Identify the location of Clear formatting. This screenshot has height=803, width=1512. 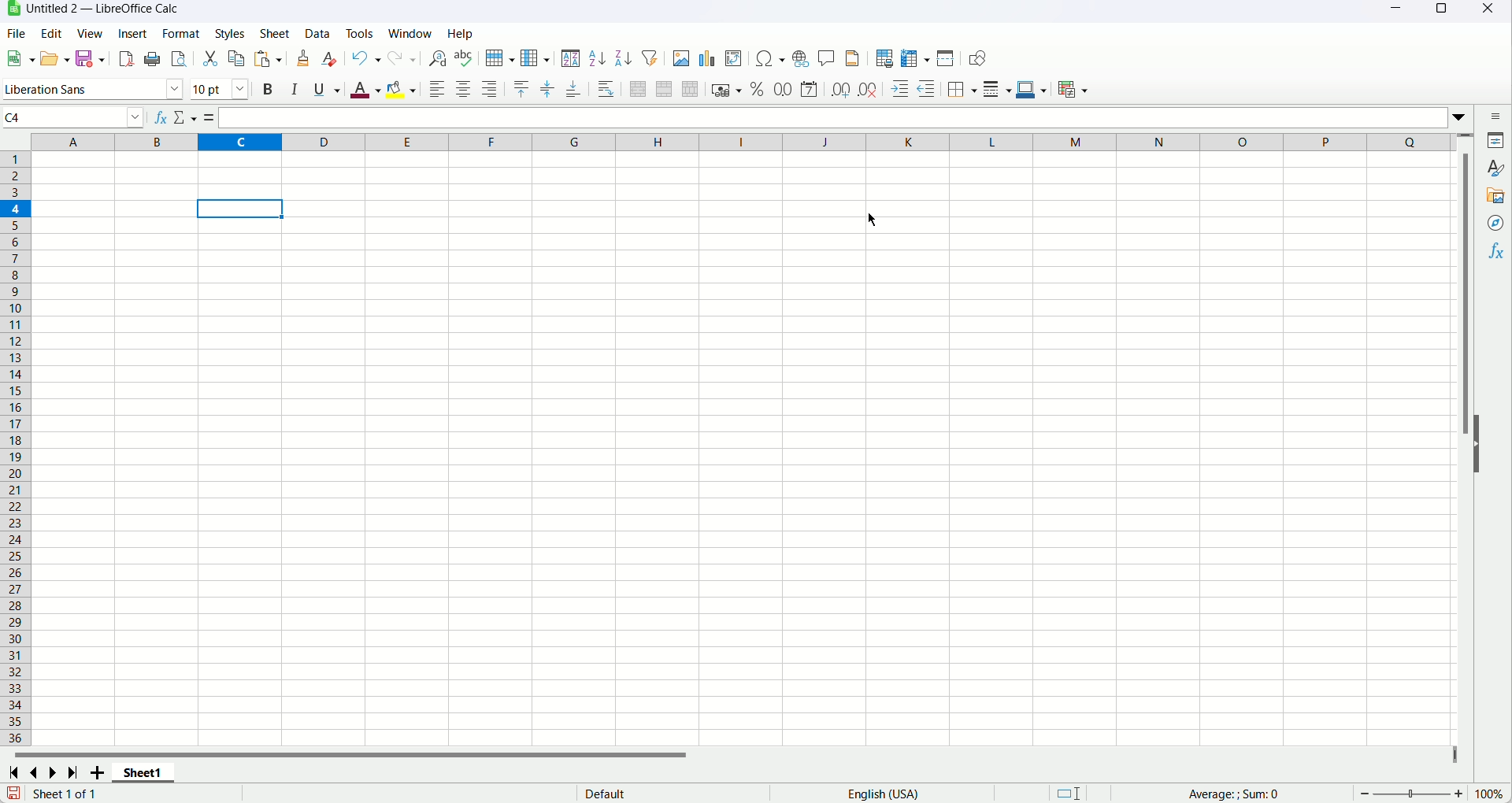
(330, 58).